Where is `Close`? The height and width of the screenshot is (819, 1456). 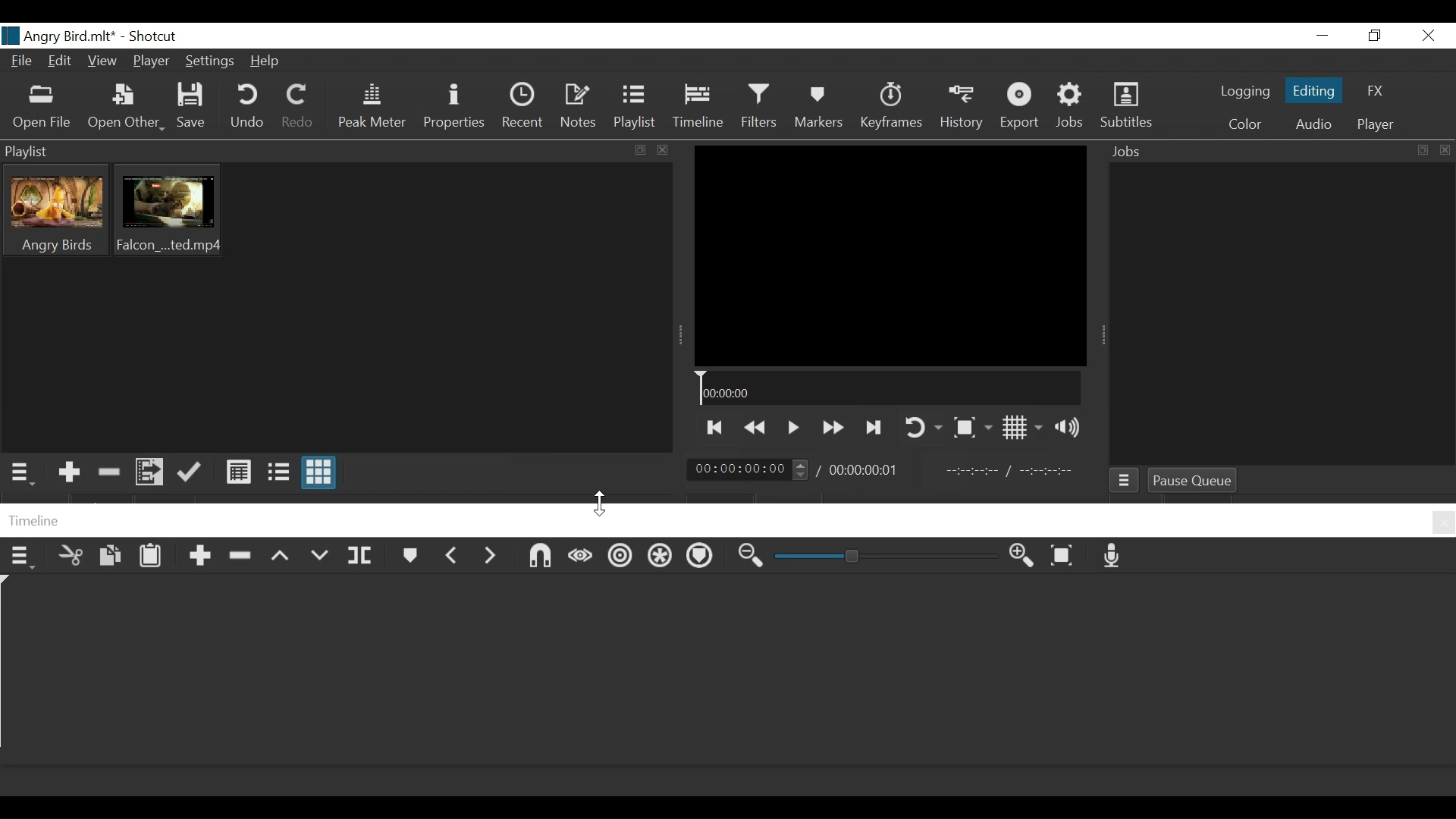
Close is located at coordinates (1427, 35).